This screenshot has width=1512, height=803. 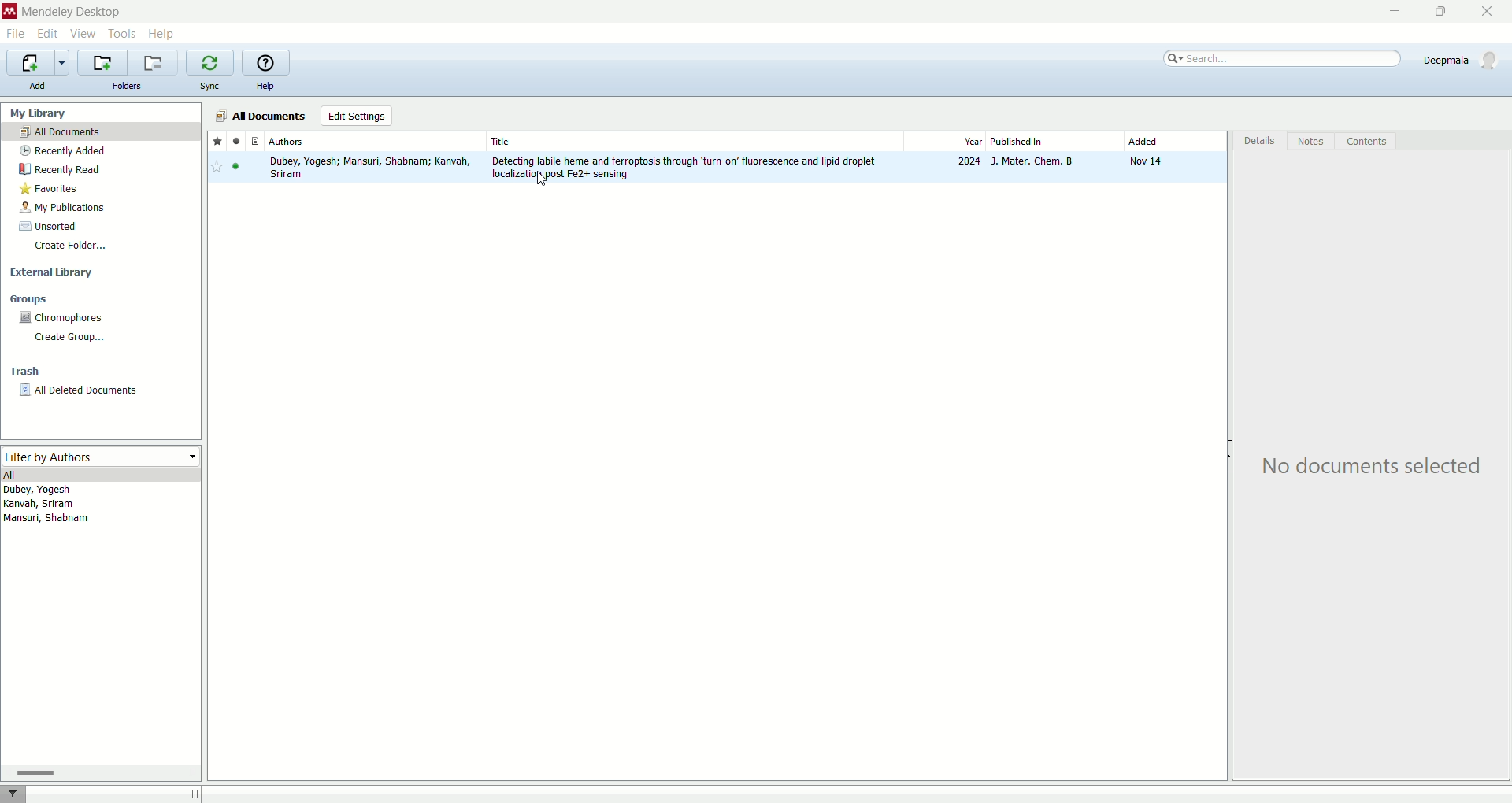 I want to click on content, so click(x=1367, y=143).